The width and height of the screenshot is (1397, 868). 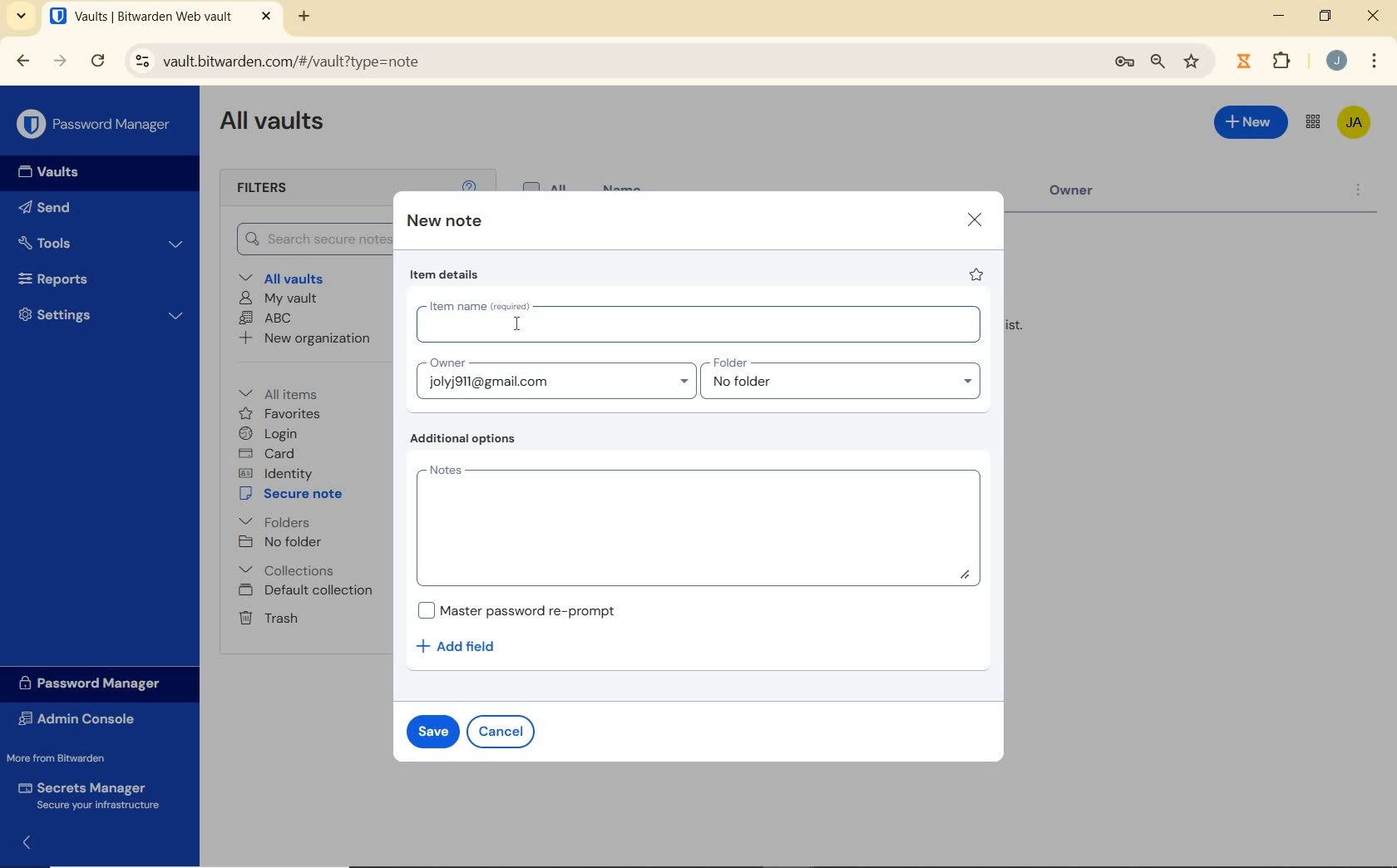 I want to click on Trash, so click(x=268, y=618).